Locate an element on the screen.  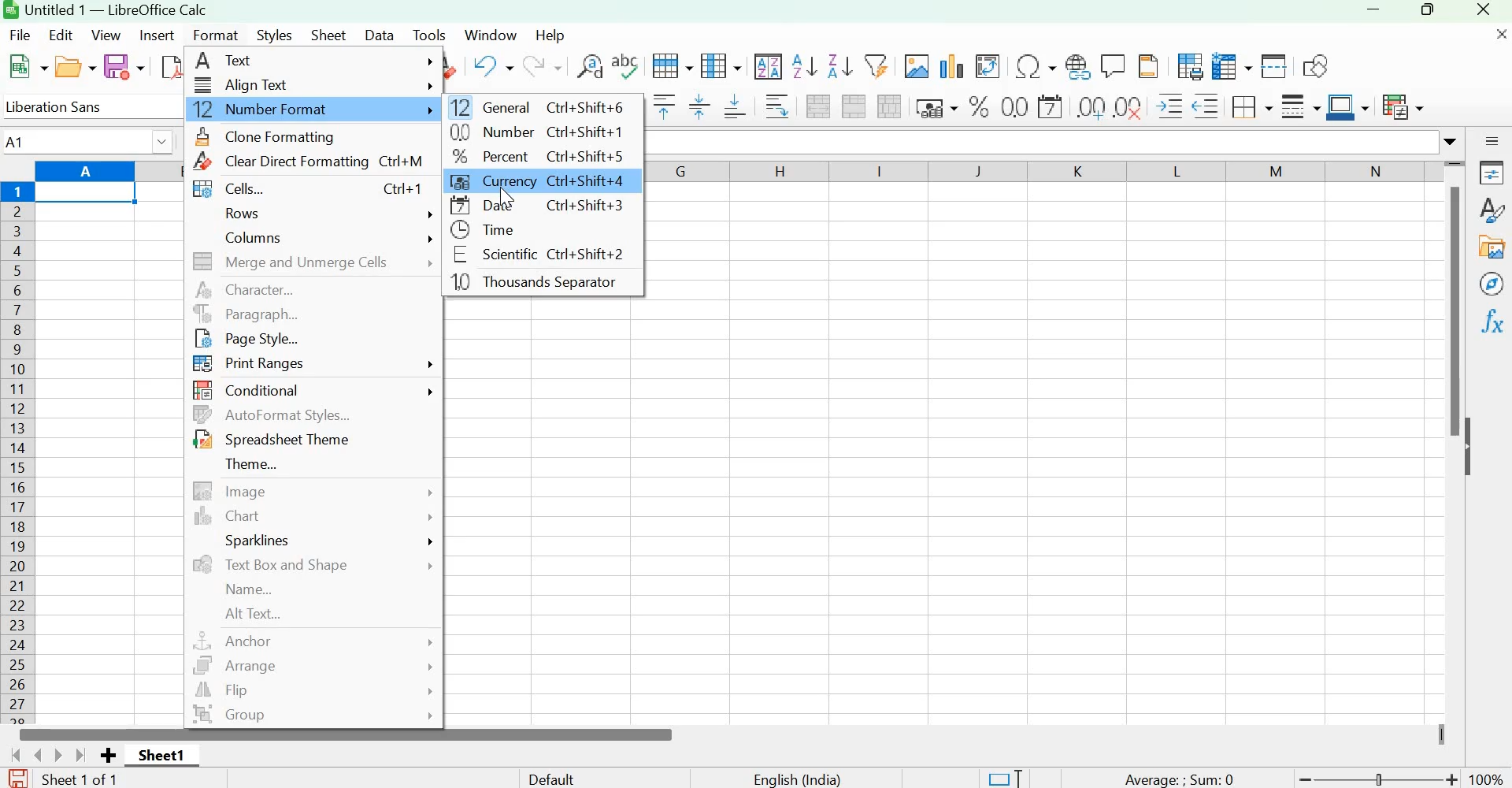
Border style is located at coordinates (1299, 106).